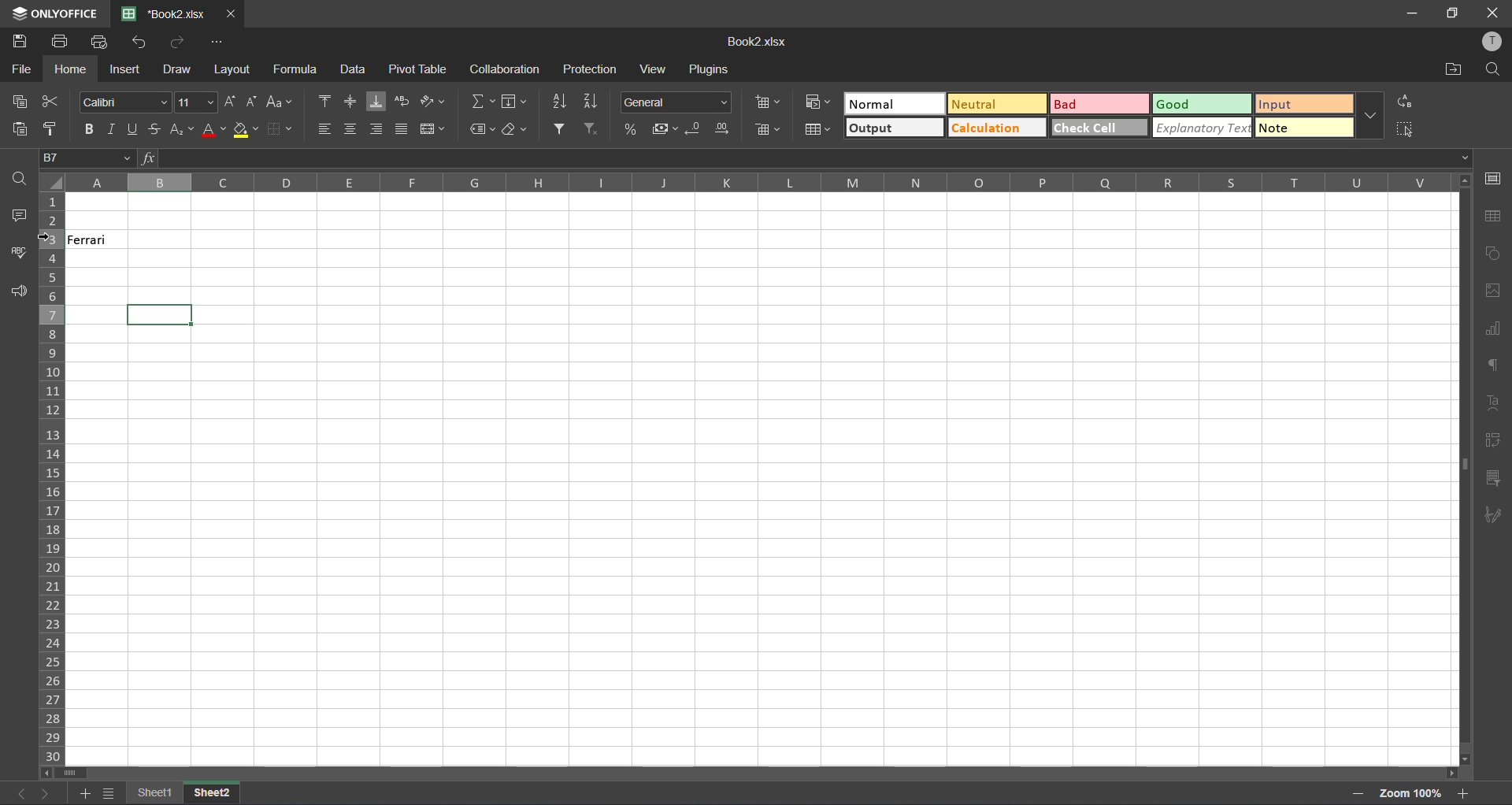  Describe the element at coordinates (246, 131) in the screenshot. I see `fill color` at that location.